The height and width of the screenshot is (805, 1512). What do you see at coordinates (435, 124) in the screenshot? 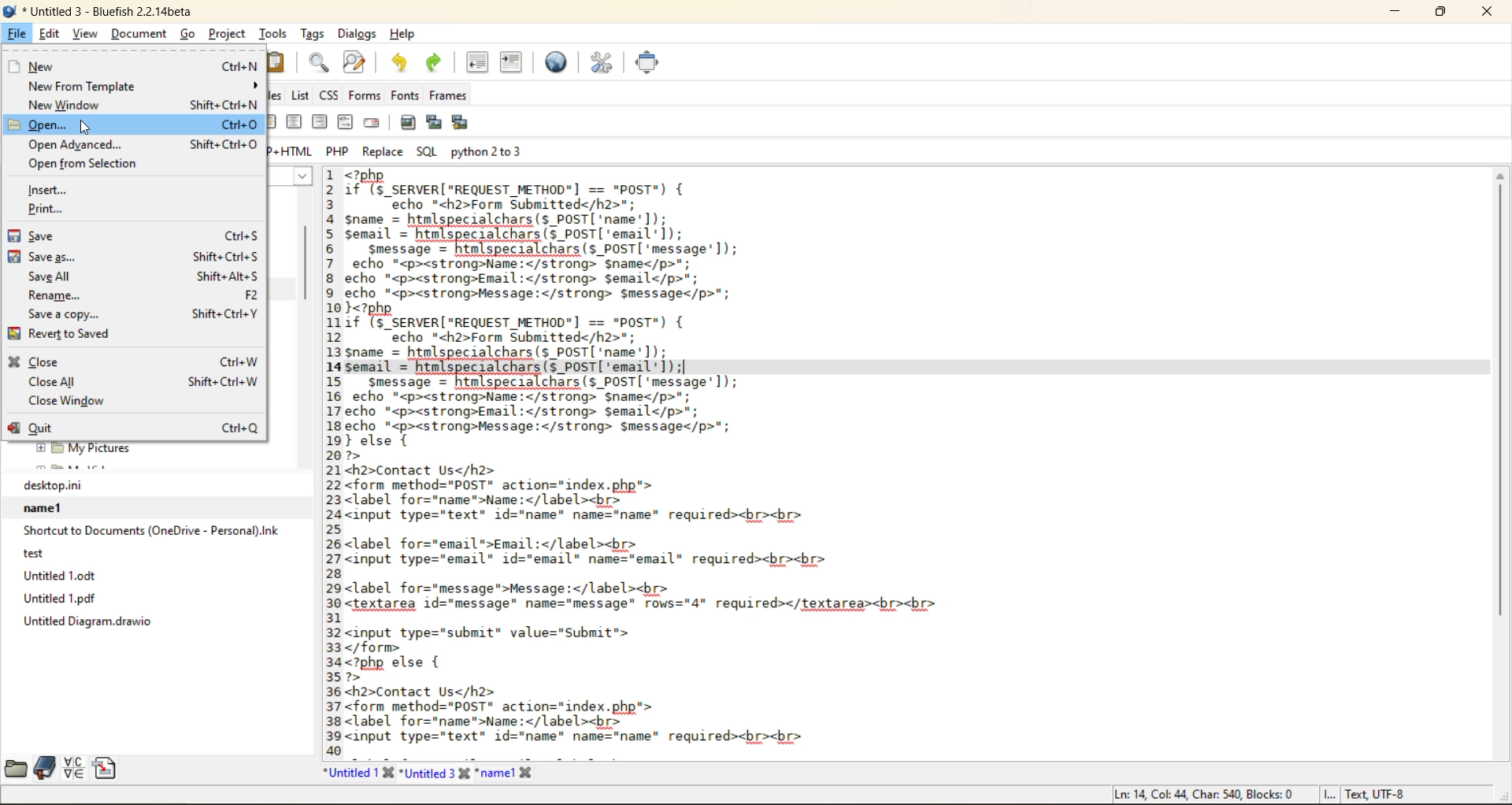
I see `insert thumbnail` at bounding box center [435, 124].